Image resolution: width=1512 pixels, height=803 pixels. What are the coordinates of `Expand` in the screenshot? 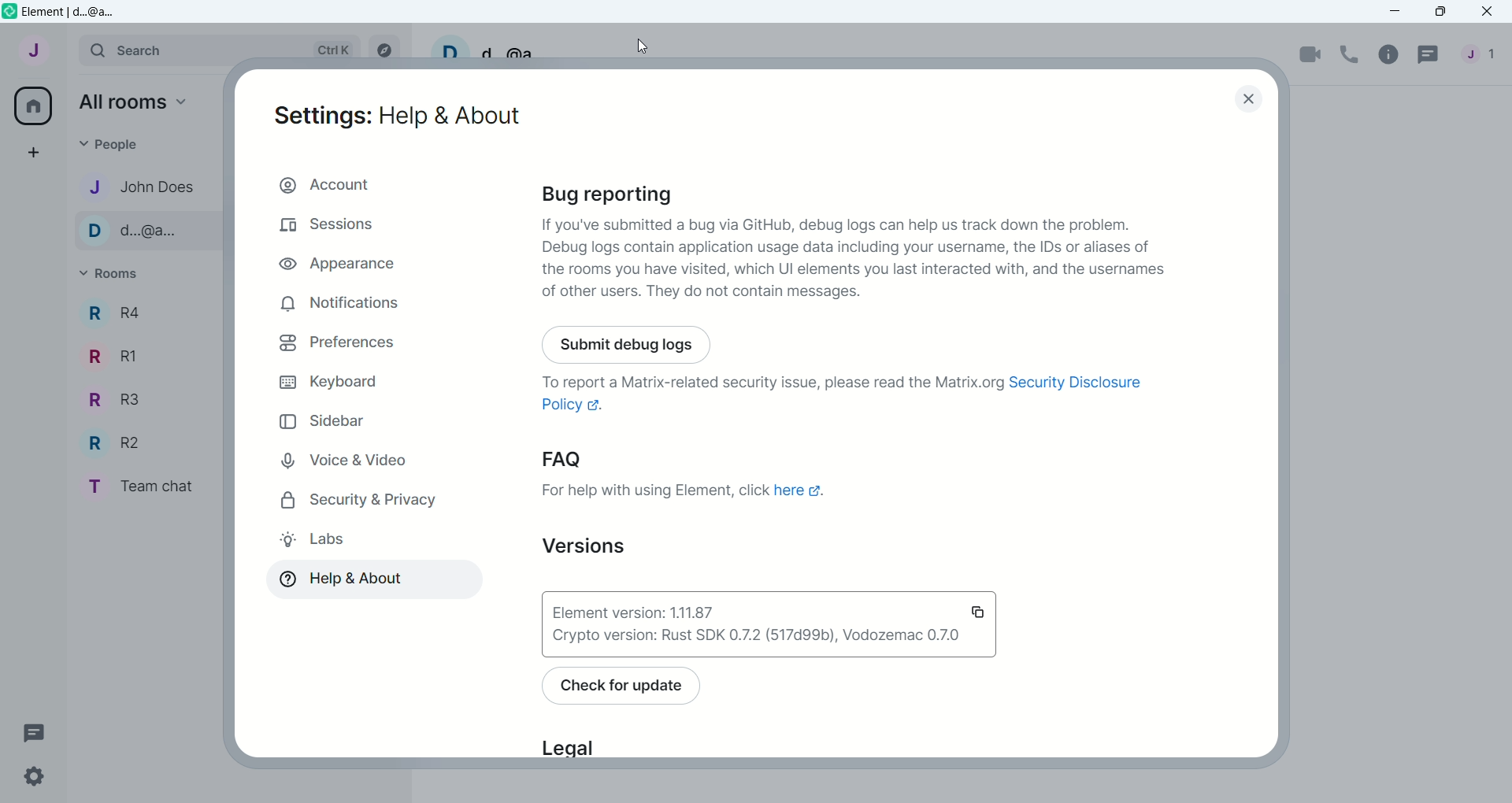 It's located at (69, 49).